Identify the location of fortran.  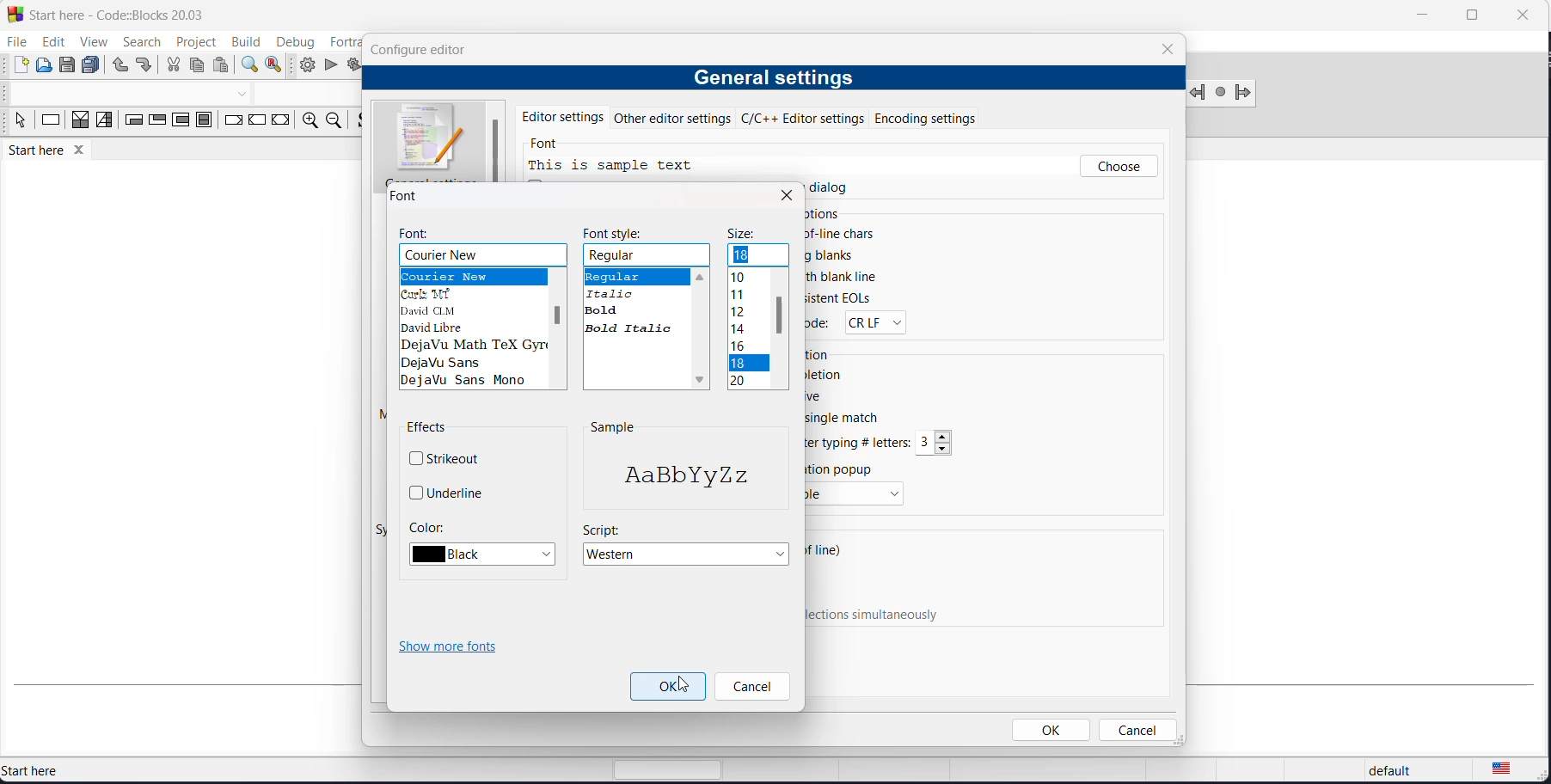
(340, 40).